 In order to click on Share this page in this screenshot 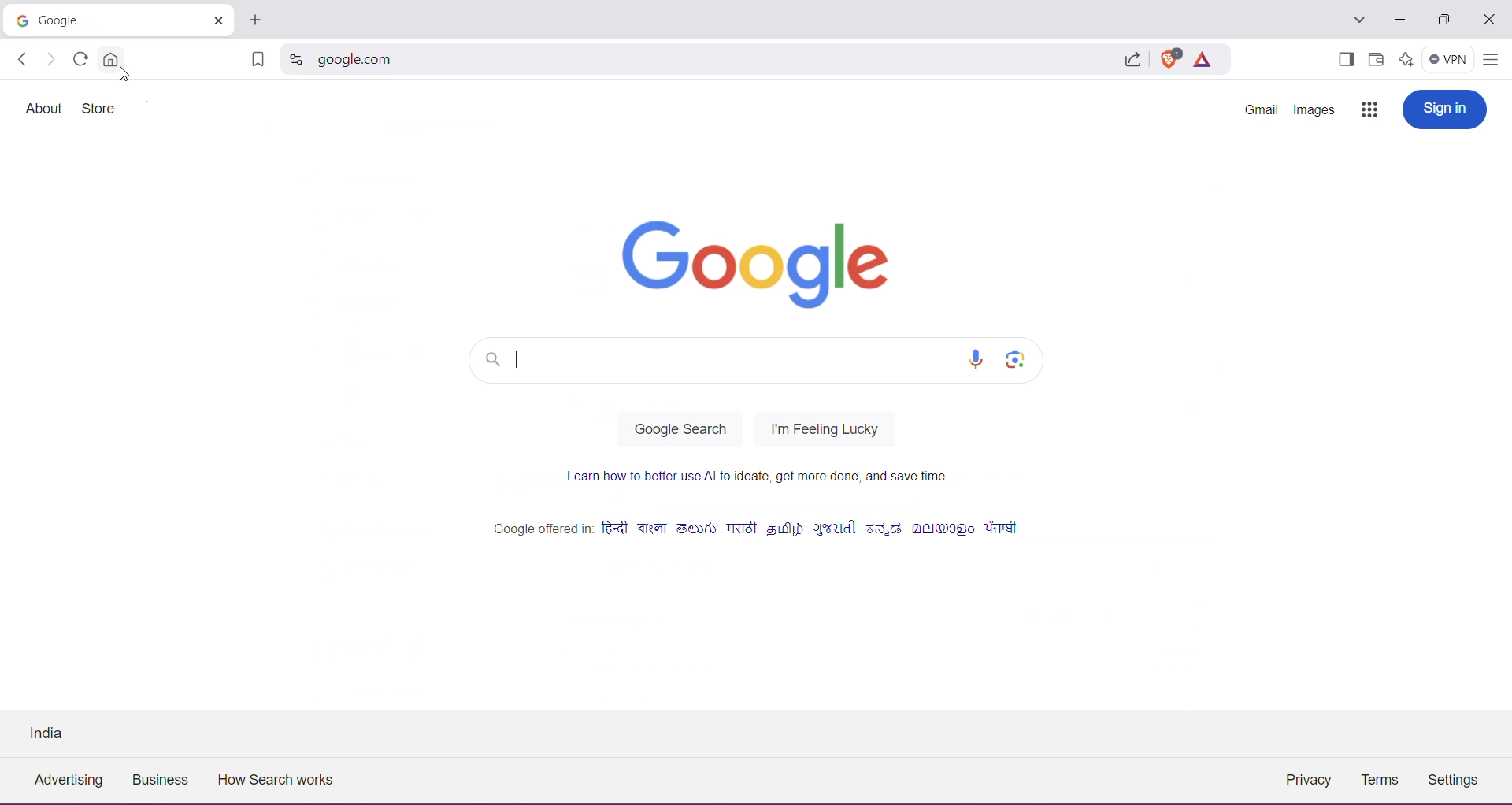, I will do `click(1131, 59)`.